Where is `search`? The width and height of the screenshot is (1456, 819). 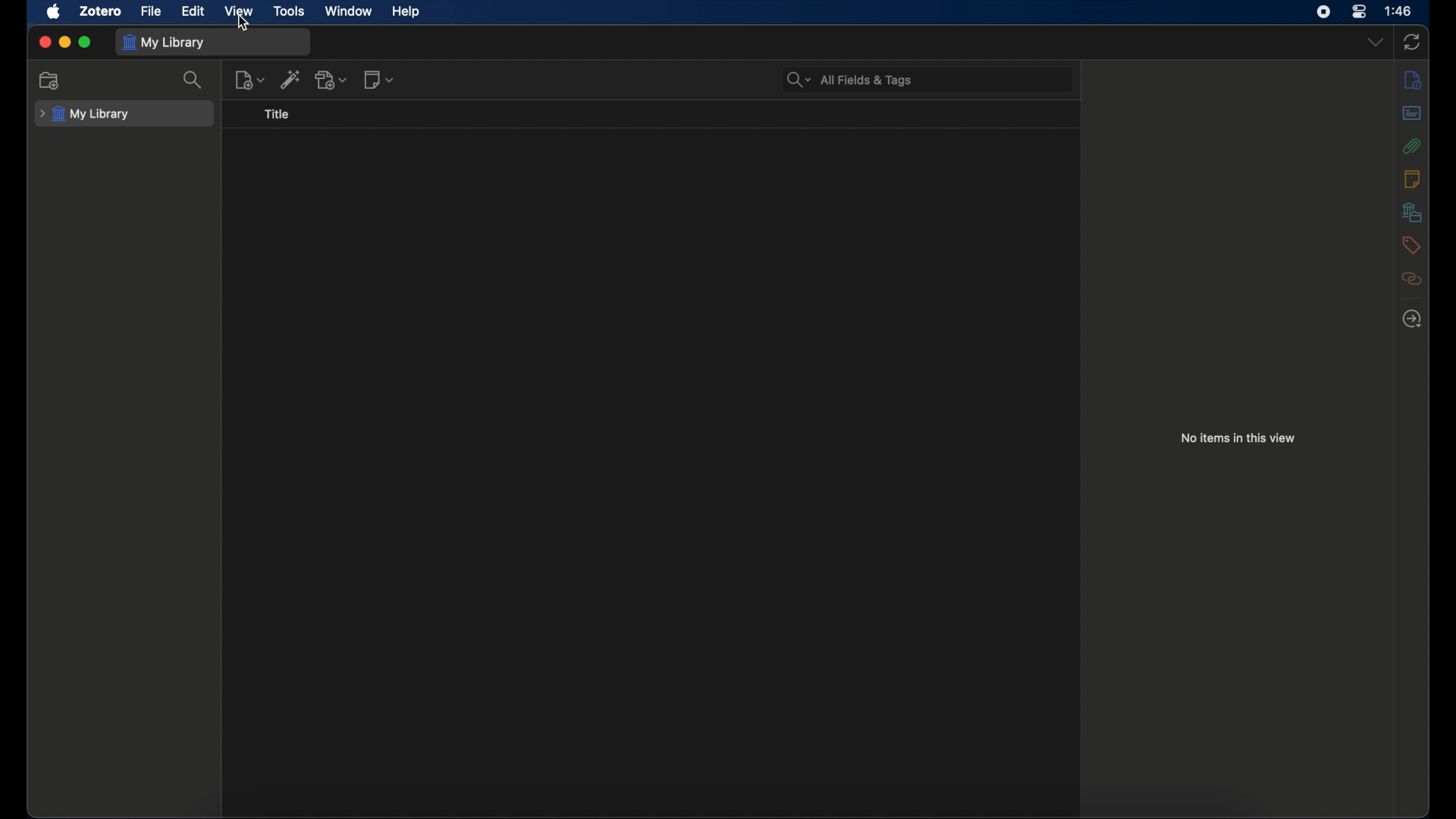 search is located at coordinates (194, 80).